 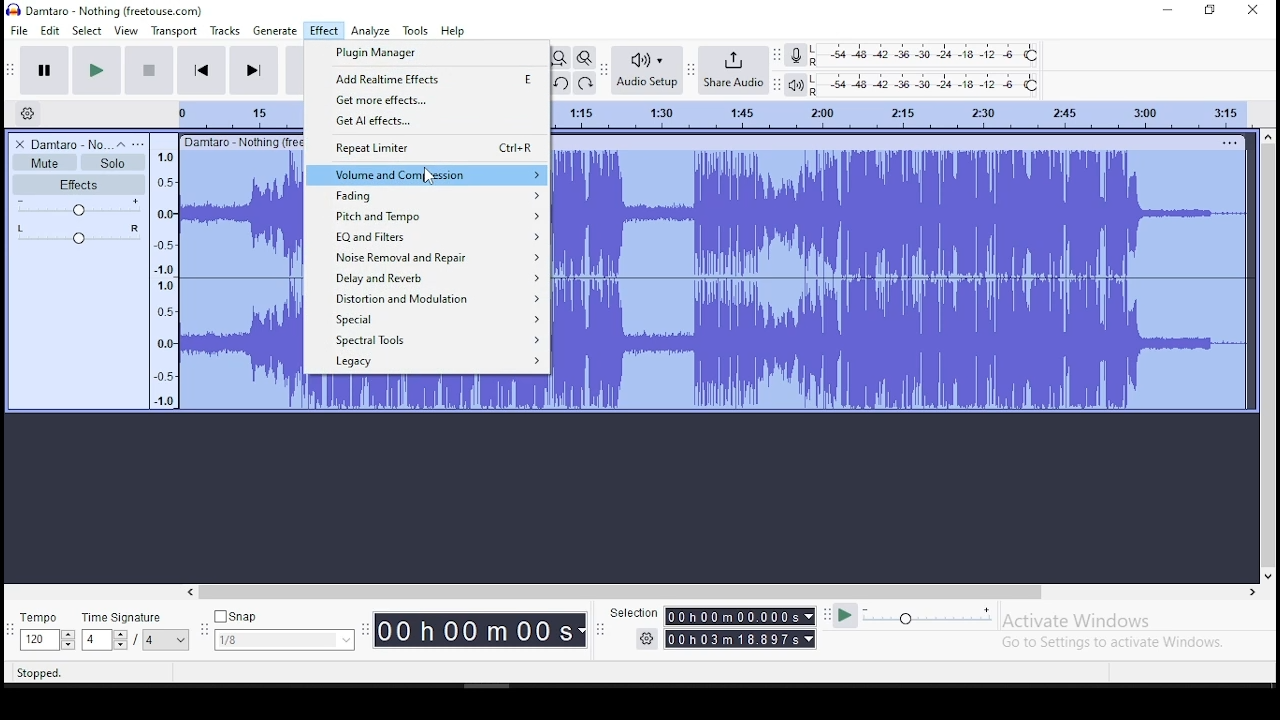 I want to click on analyze, so click(x=370, y=31).